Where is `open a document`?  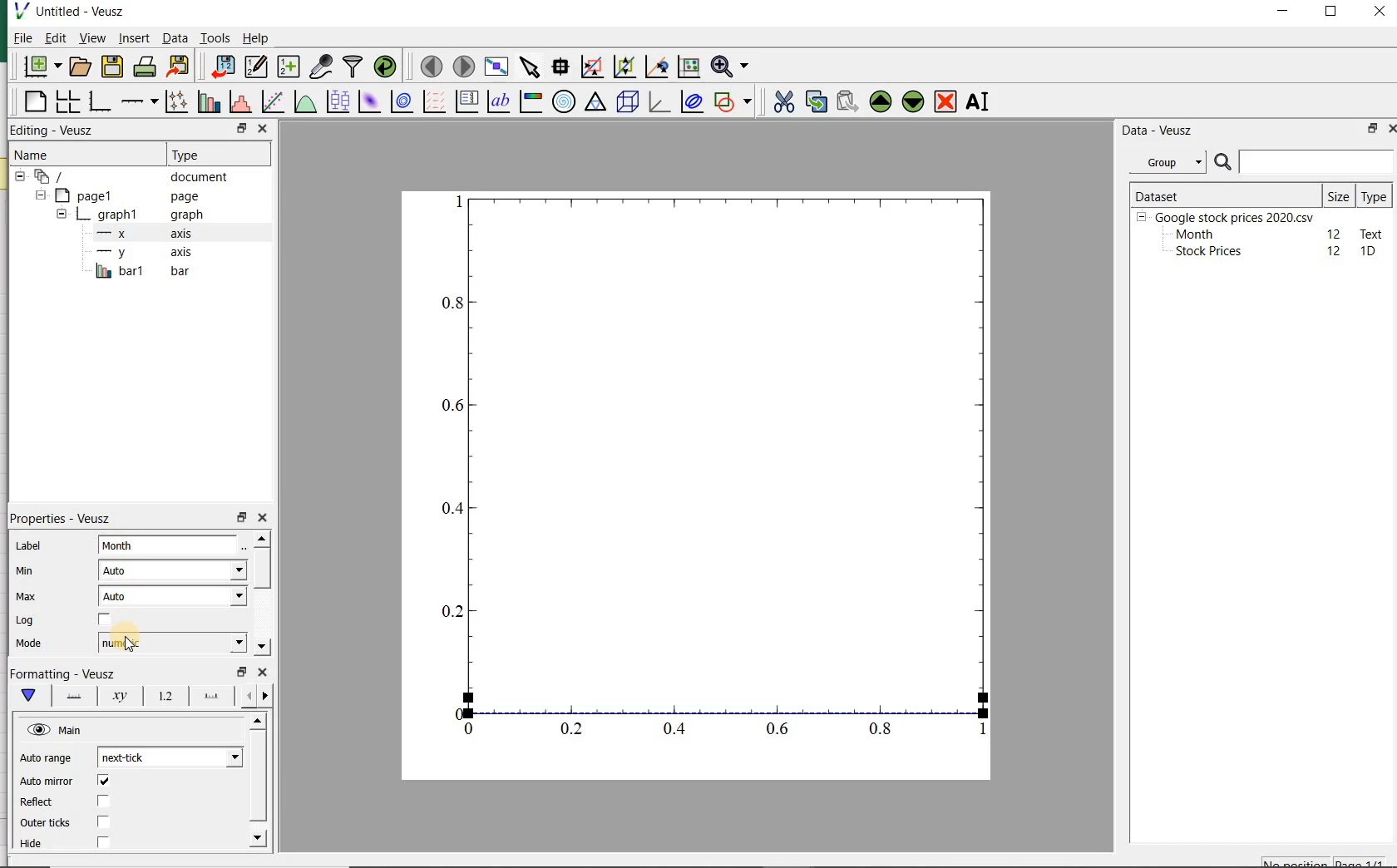
open a document is located at coordinates (81, 66).